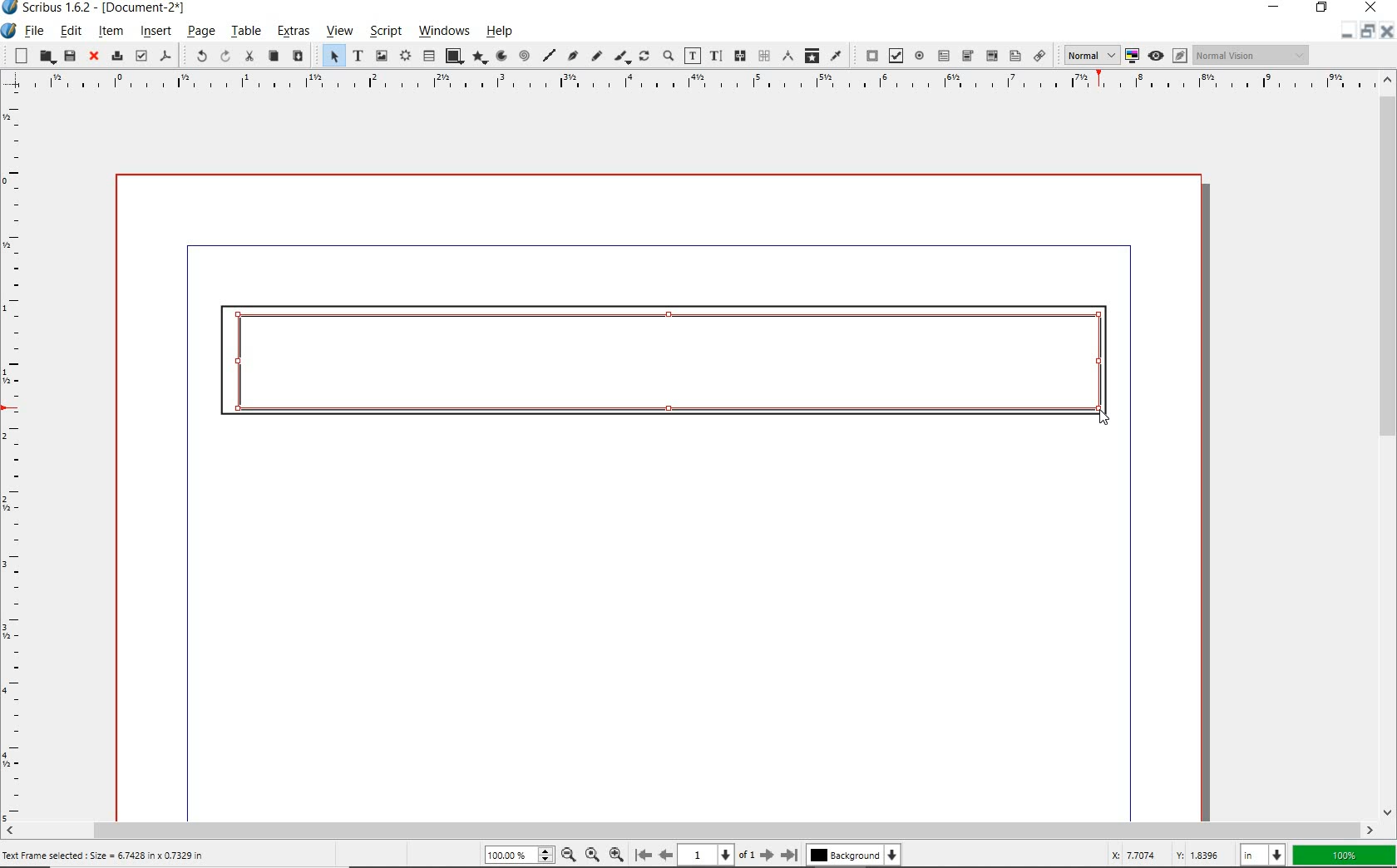 The height and width of the screenshot is (868, 1397). What do you see at coordinates (1039, 55) in the screenshot?
I see `link annotation` at bounding box center [1039, 55].